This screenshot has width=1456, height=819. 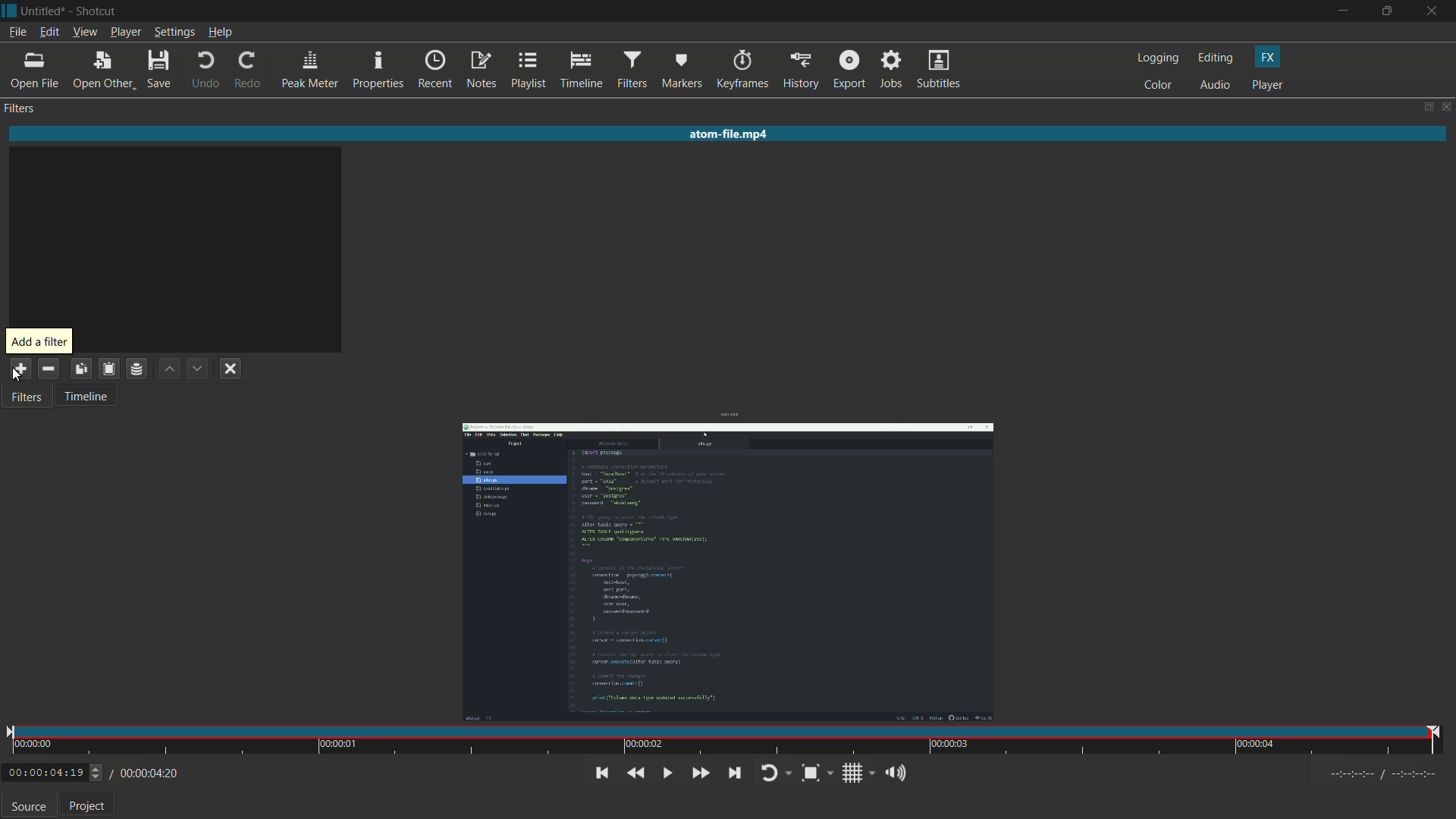 I want to click on save, so click(x=162, y=71).